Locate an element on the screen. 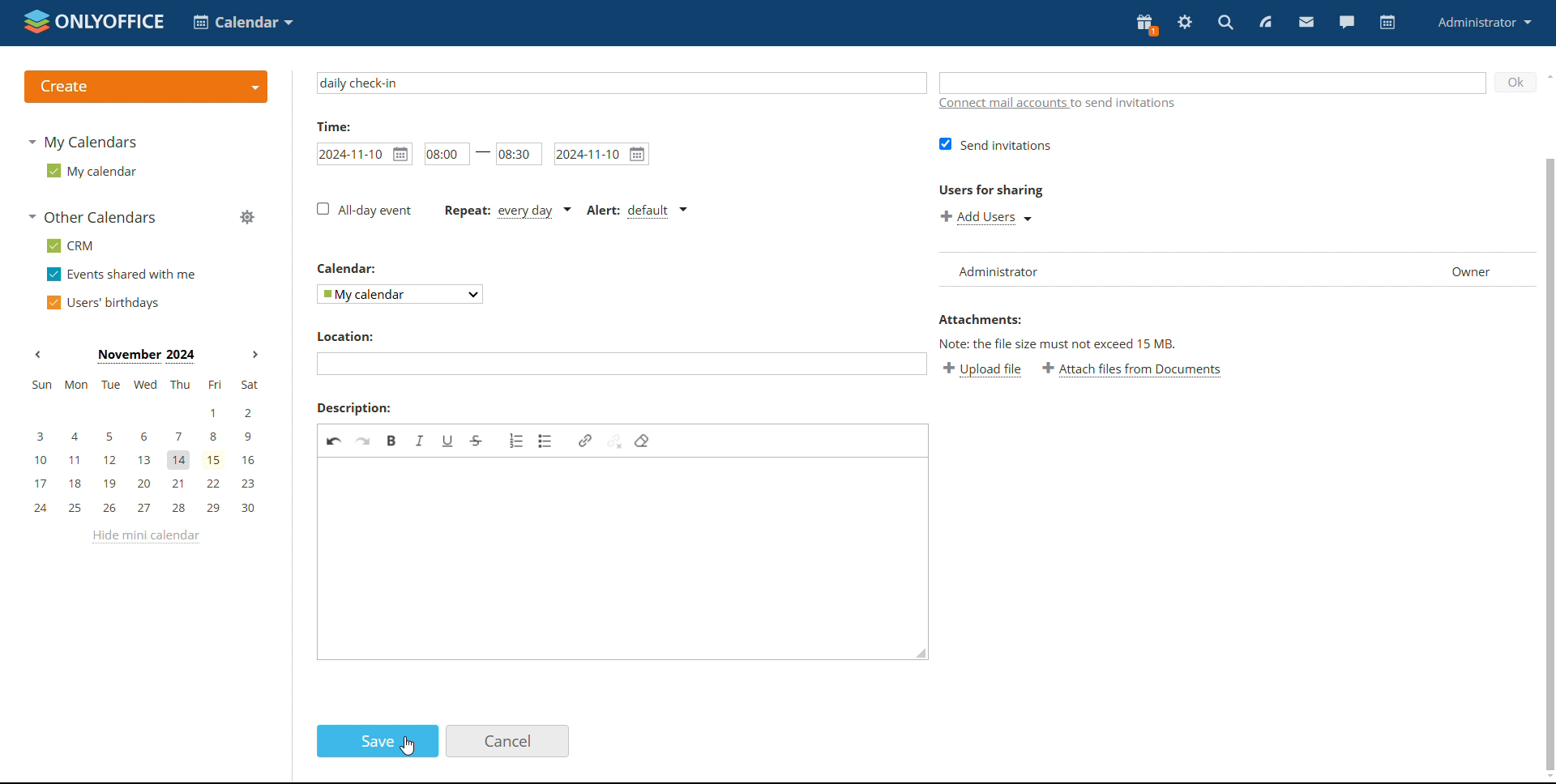  - is located at coordinates (483, 156).